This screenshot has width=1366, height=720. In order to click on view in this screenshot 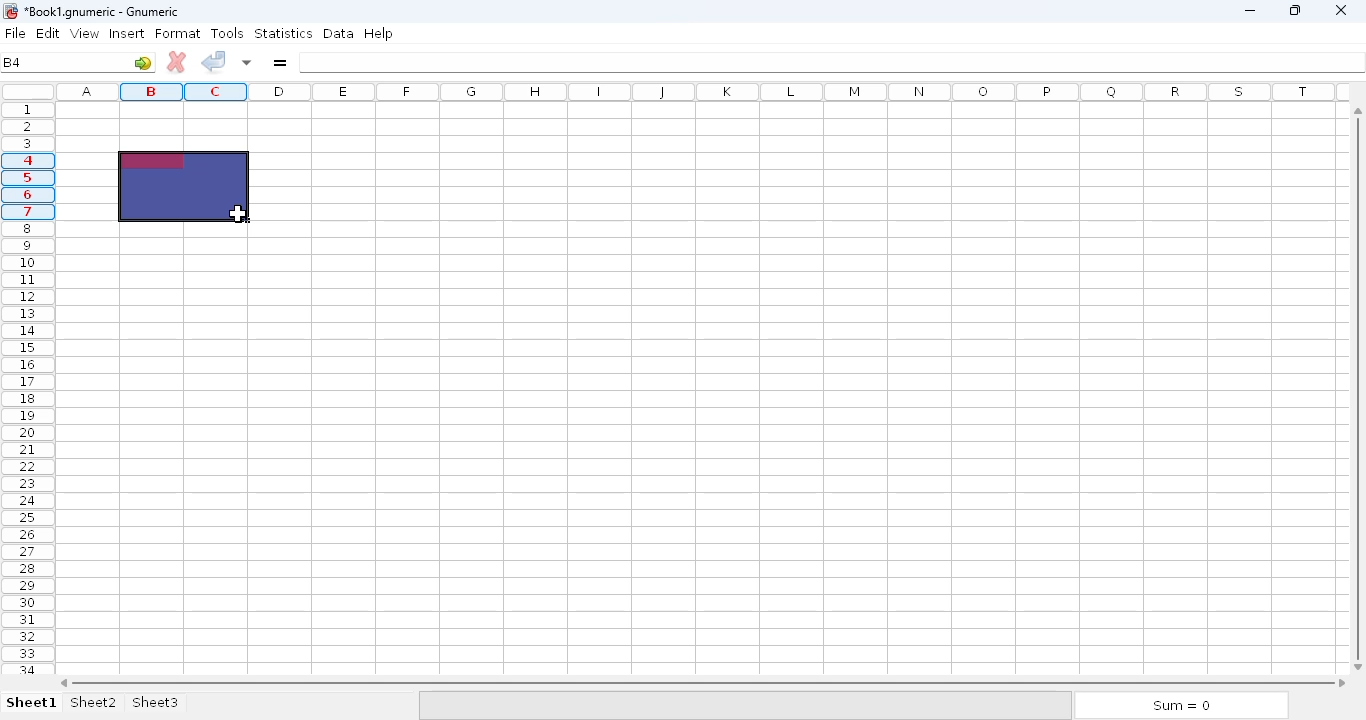, I will do `click(84, 34)`.